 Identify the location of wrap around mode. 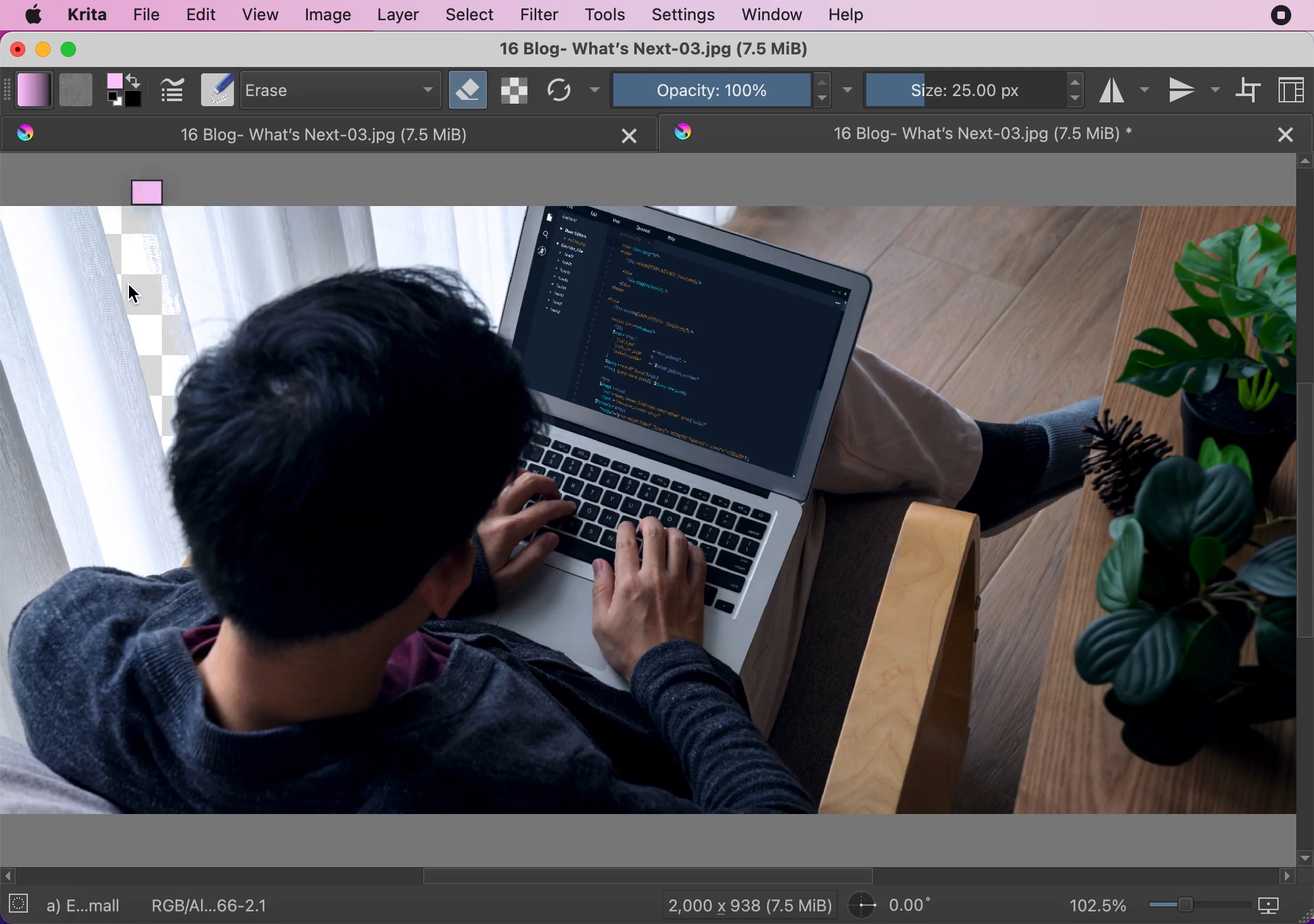
(1251, 91).